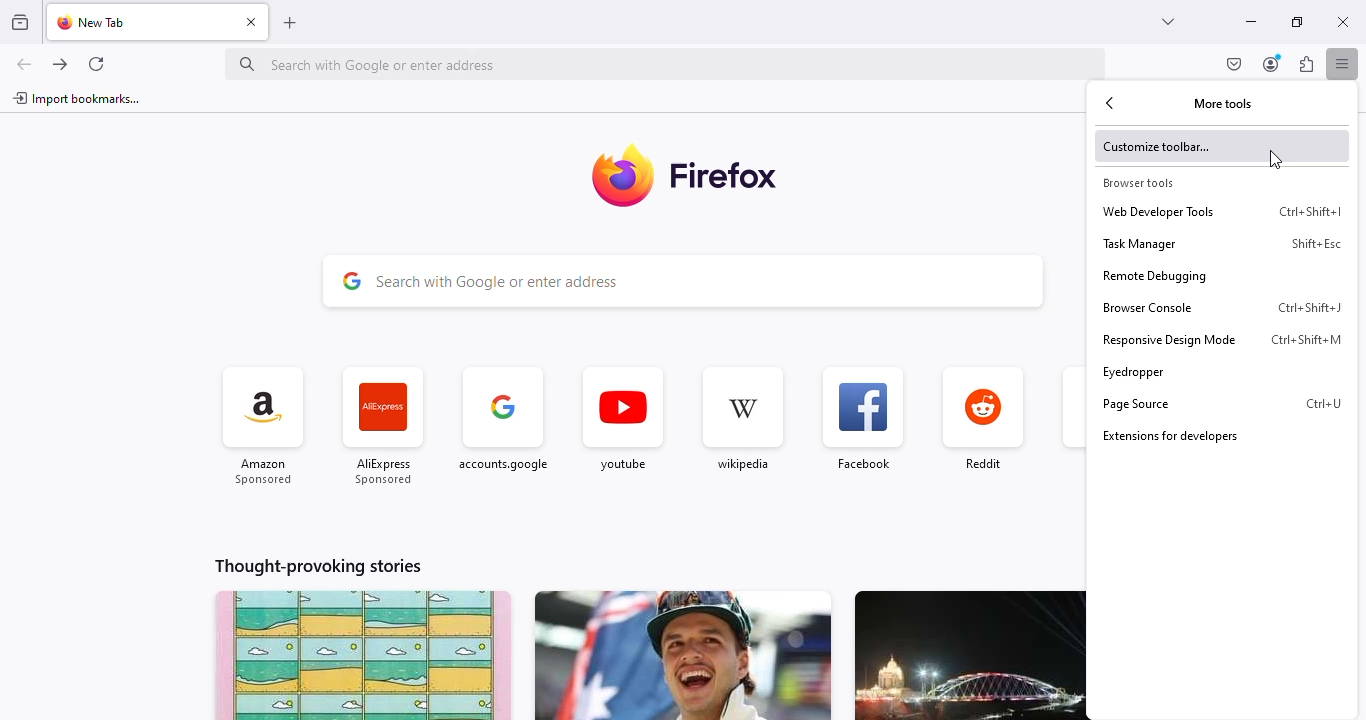 This screenshot has height=720, width=1366. What do you see at coordinates (1181, 308) in the screenshot?
I see `browser console` at bounding box center [1181, 308].